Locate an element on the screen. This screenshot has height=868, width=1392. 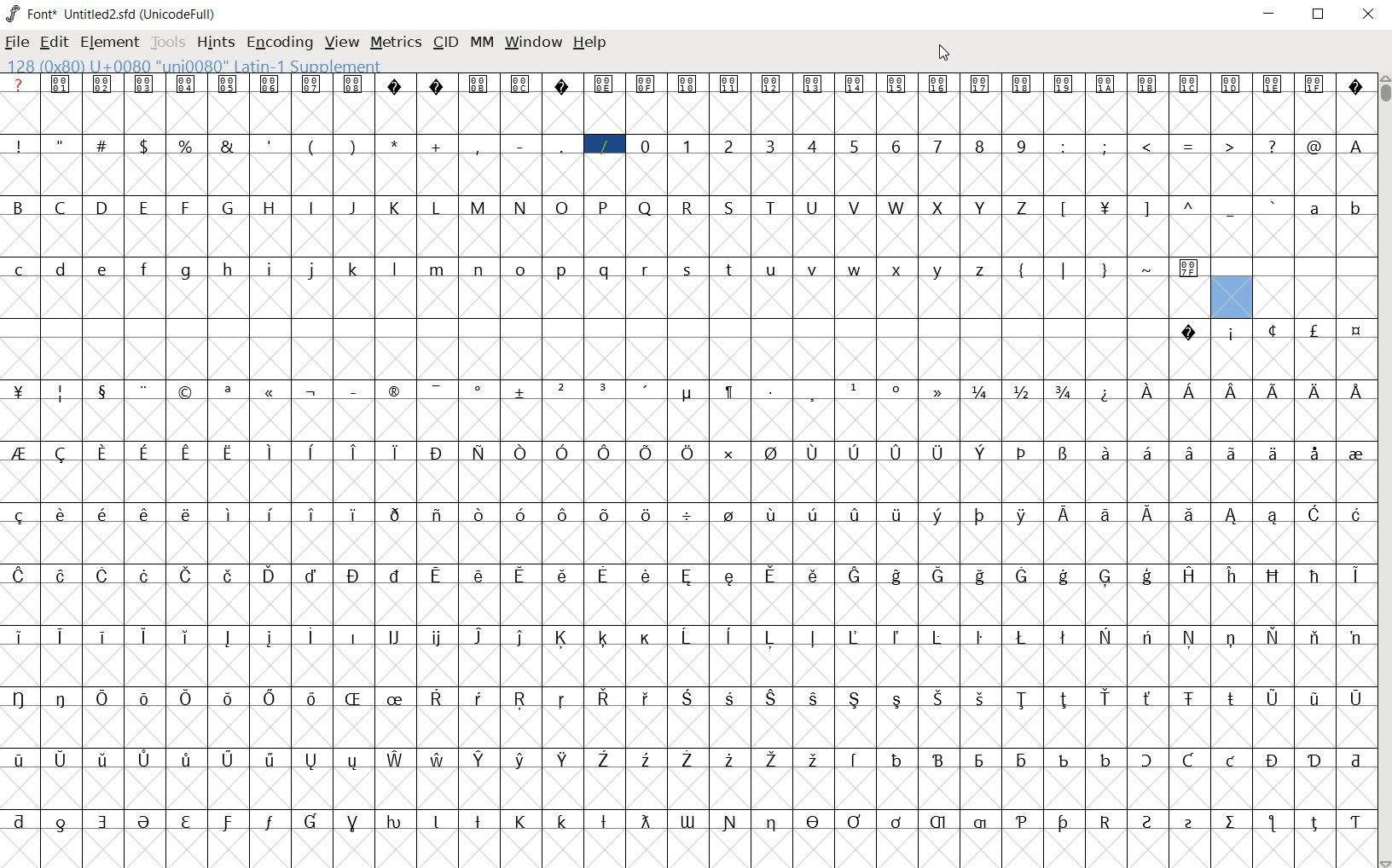
glyph is located at coordinates (562, 146).